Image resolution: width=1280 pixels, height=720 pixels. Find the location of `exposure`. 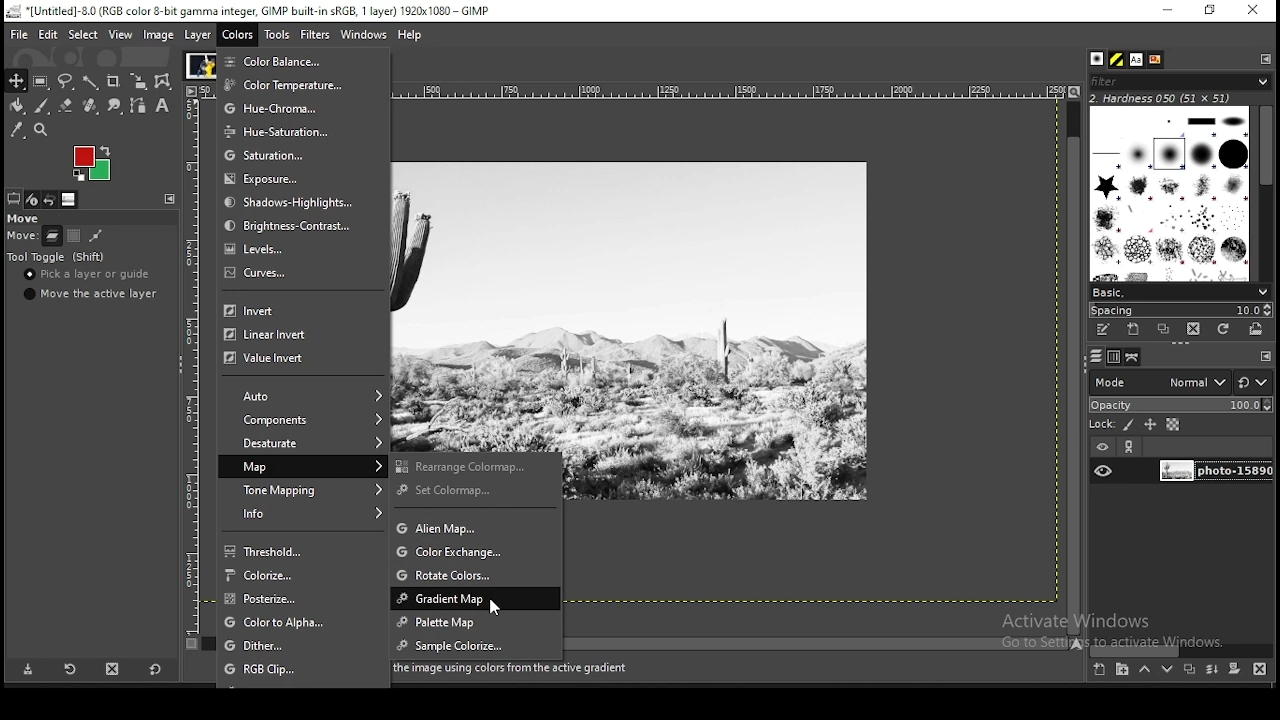

exposure is located at coordinates (292, 179).